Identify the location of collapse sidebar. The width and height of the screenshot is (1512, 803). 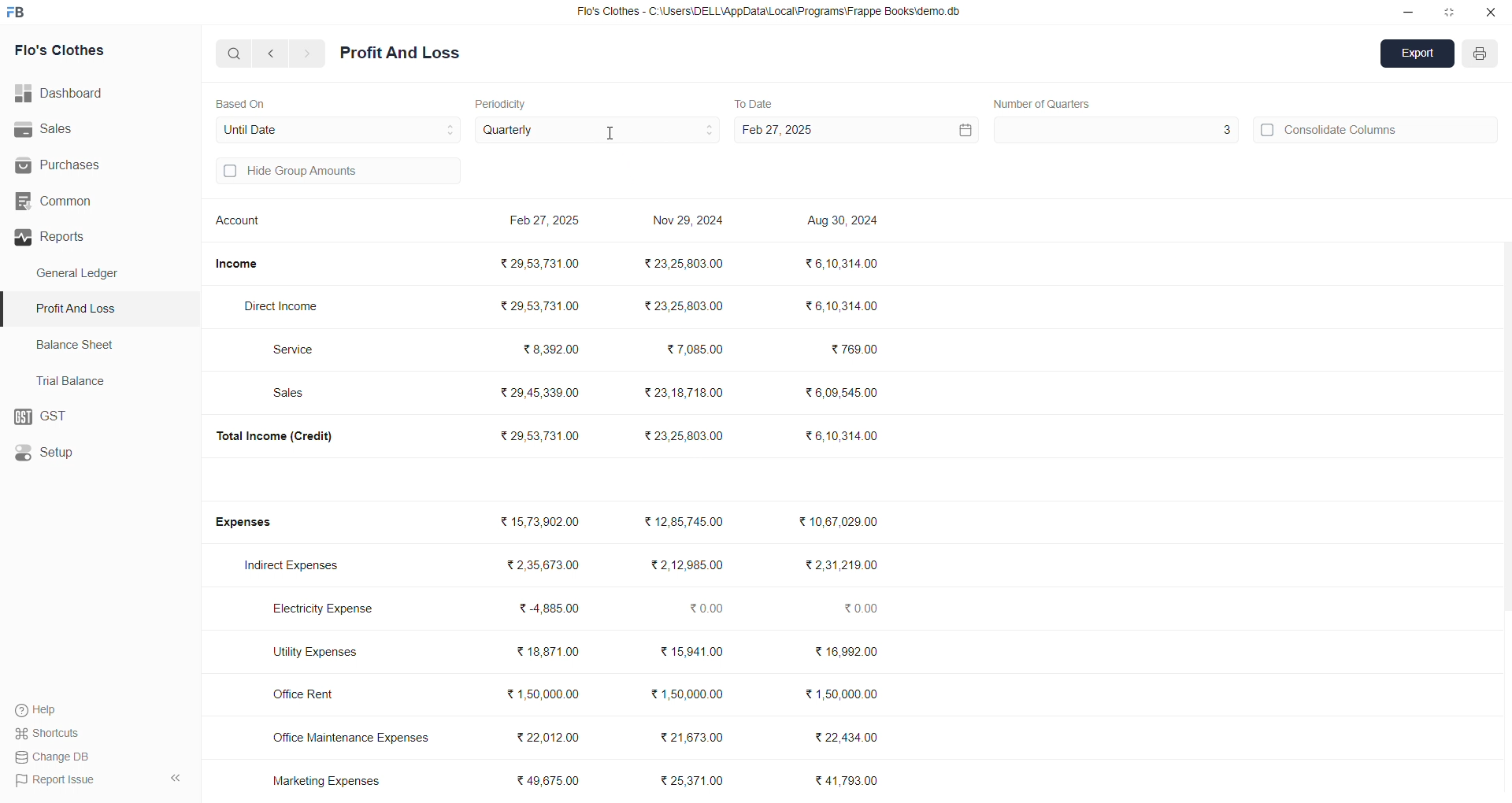
(175, 779).